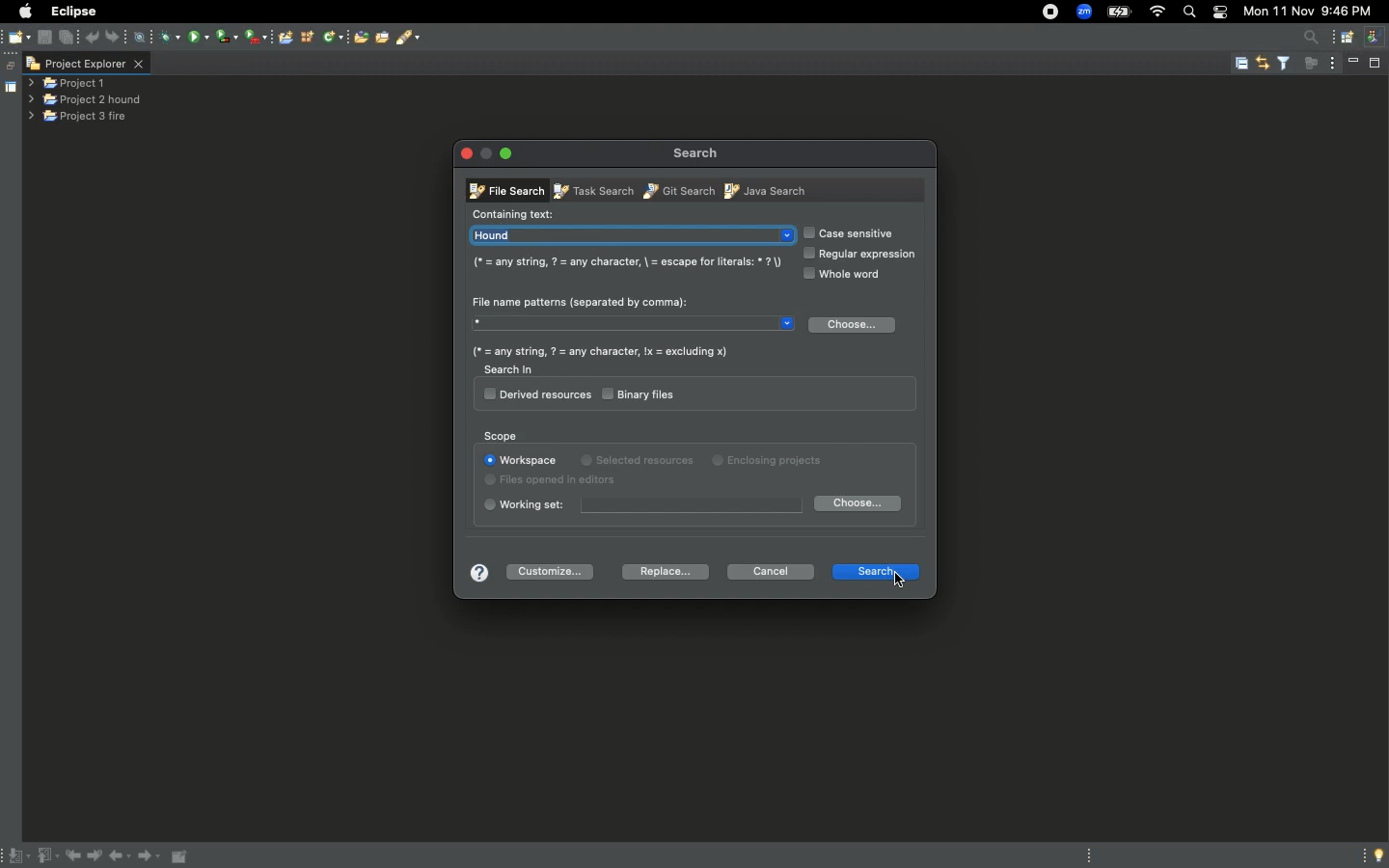  Describe the element at coordinates (333, 38) in the screenshot. I see `new java class` at that location.